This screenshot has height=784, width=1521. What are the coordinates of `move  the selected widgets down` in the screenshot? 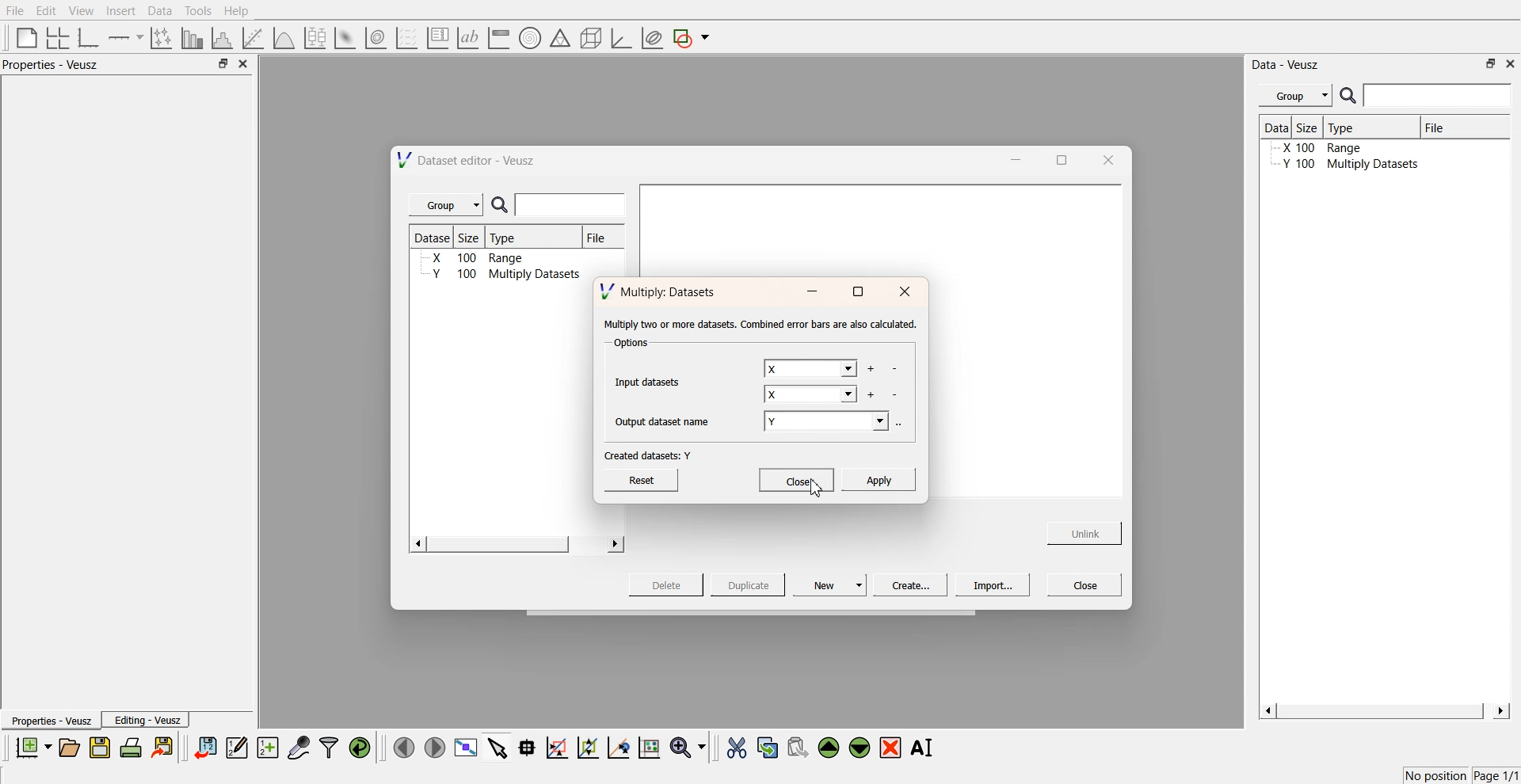 It's located at (860, 746).